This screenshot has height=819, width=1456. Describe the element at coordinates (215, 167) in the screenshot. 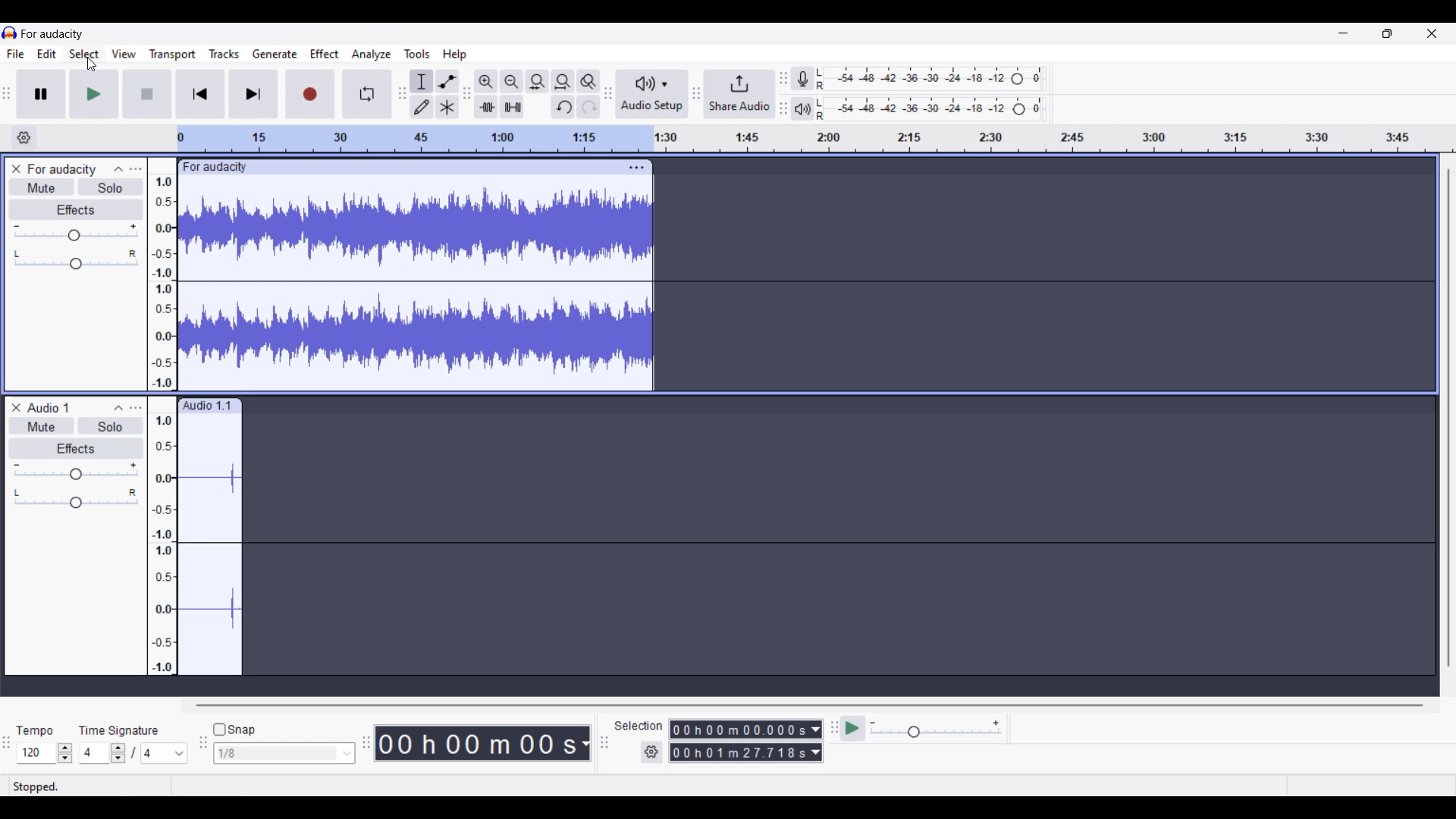

I see `for audacity` at that location.